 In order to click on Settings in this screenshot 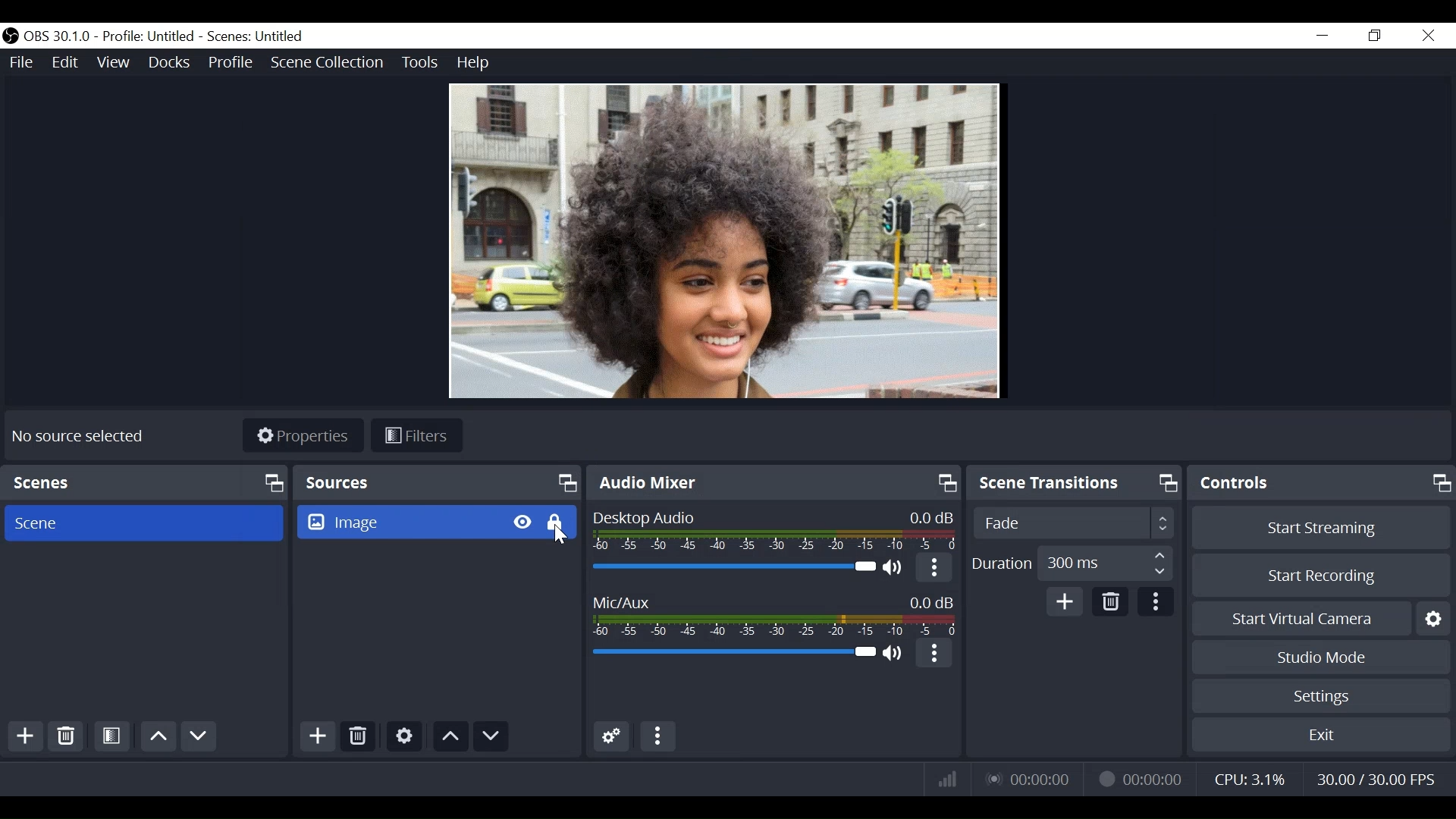, I will do `click(404, 736)`.